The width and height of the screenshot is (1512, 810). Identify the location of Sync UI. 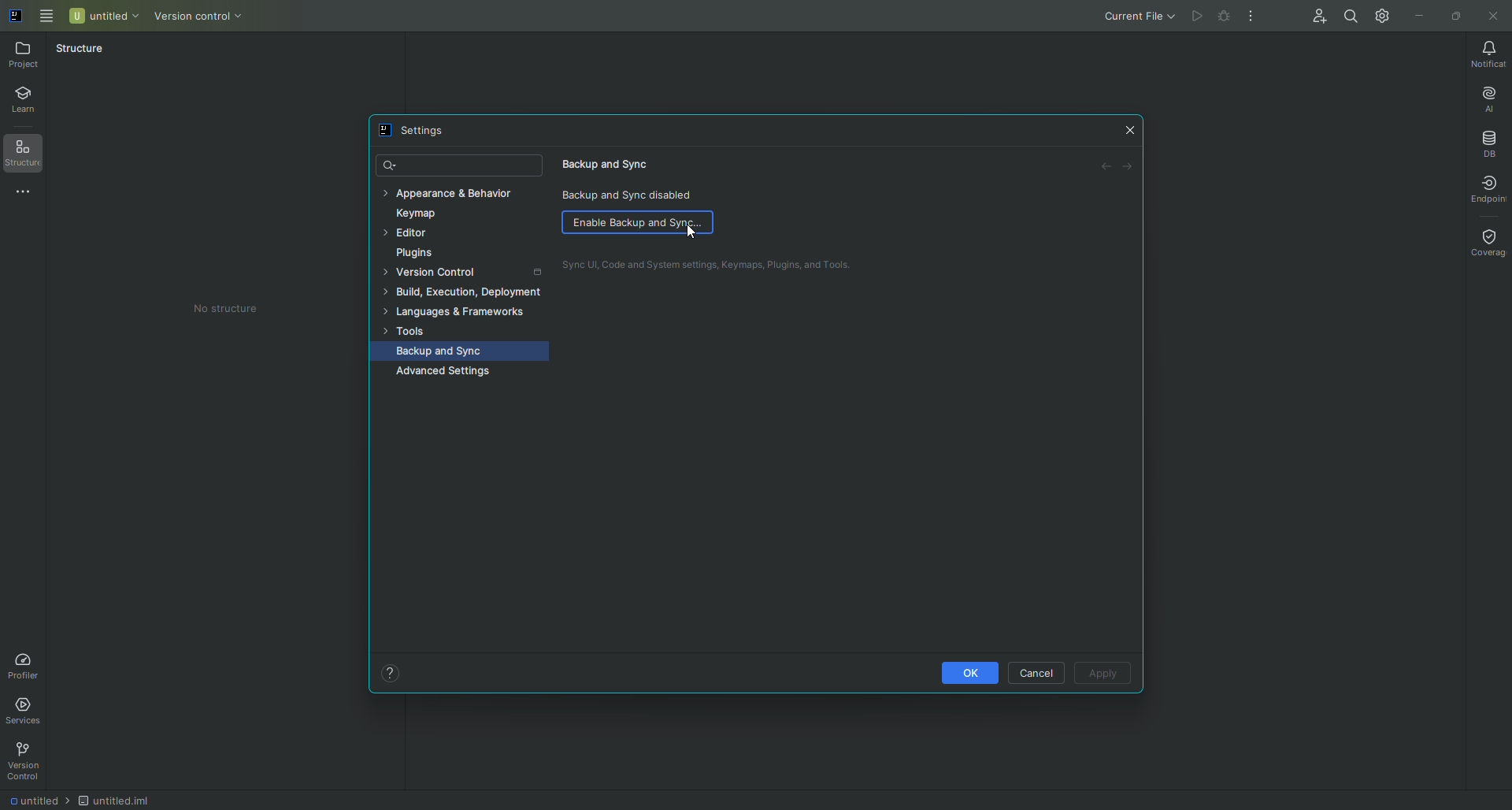
(717, 266).